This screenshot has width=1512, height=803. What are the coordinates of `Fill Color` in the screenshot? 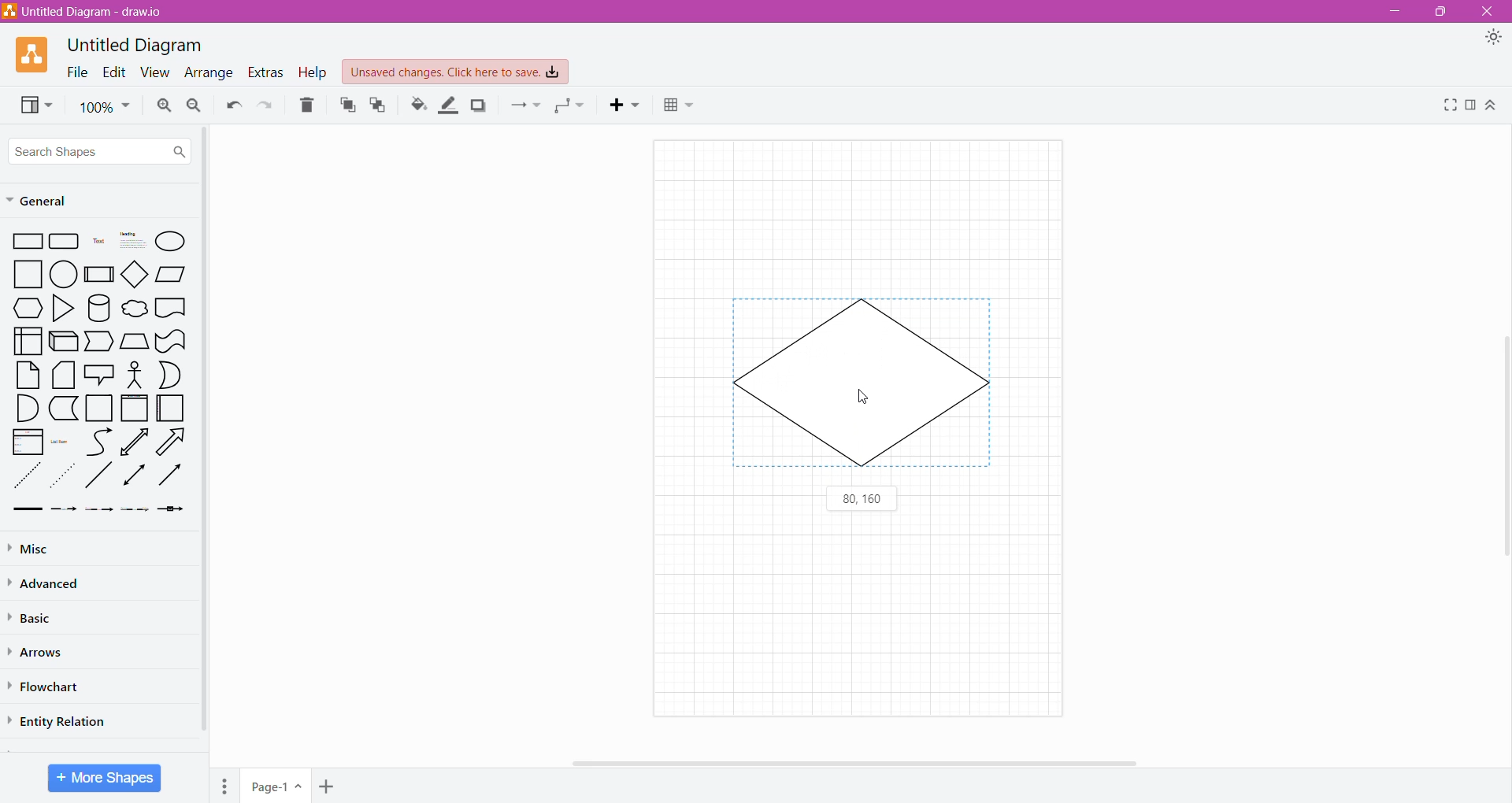 It's located at (418, 105).